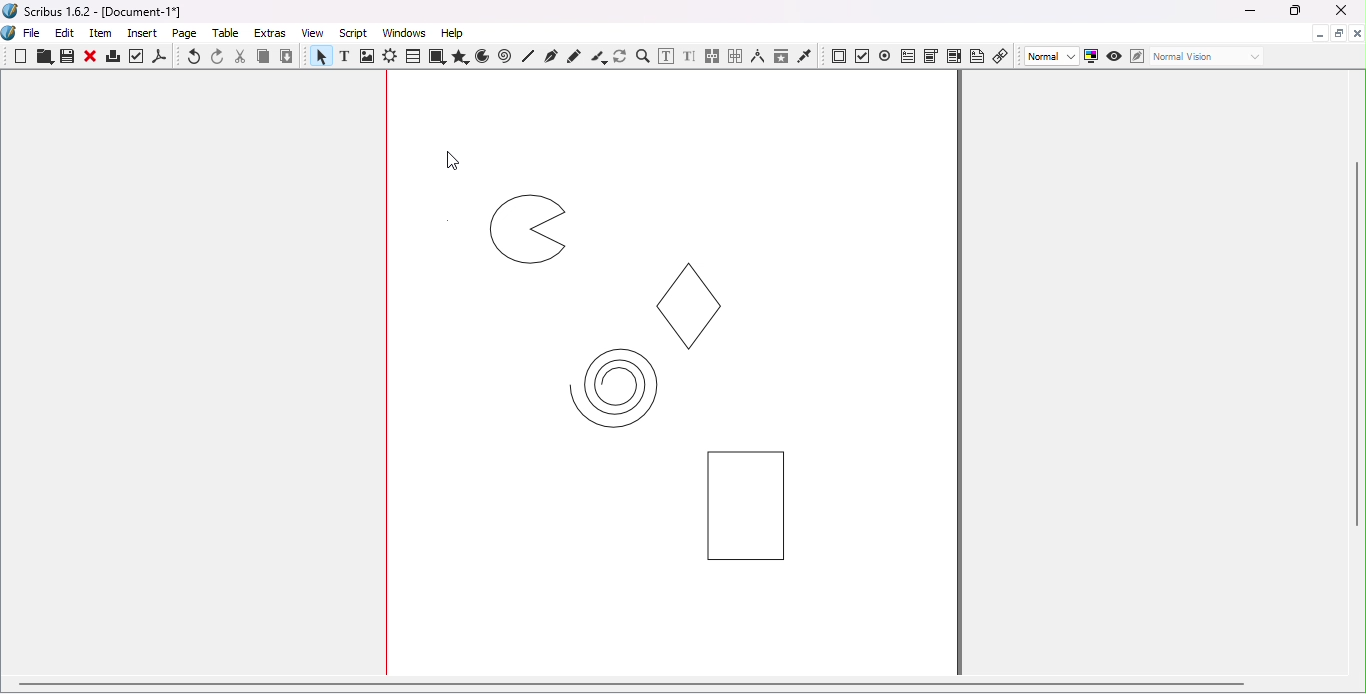  What do you see at coordinates (390, 58) in the screenshot?
I see `Render frame` at bounding box center [390, 58].